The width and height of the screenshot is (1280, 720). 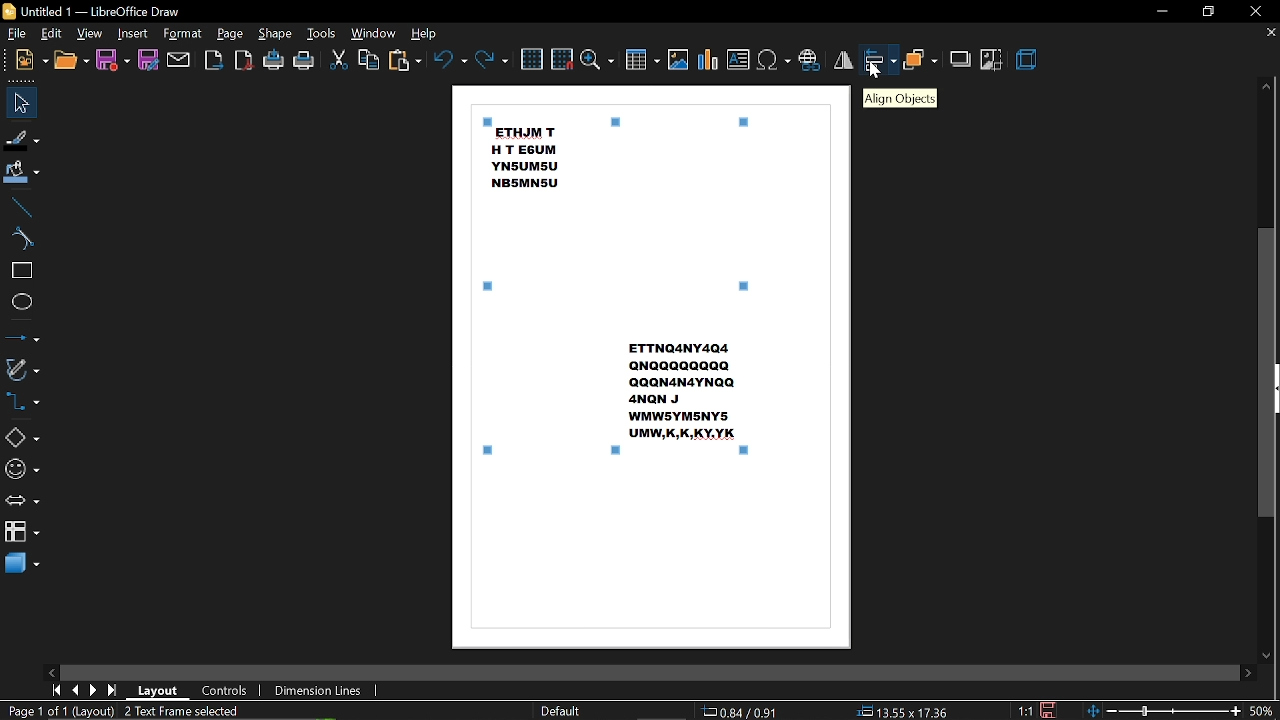 What do you see at coordinates (906, 712) in the screenshot?
I see `11.55x17.36` at bounding box center [906, 712].